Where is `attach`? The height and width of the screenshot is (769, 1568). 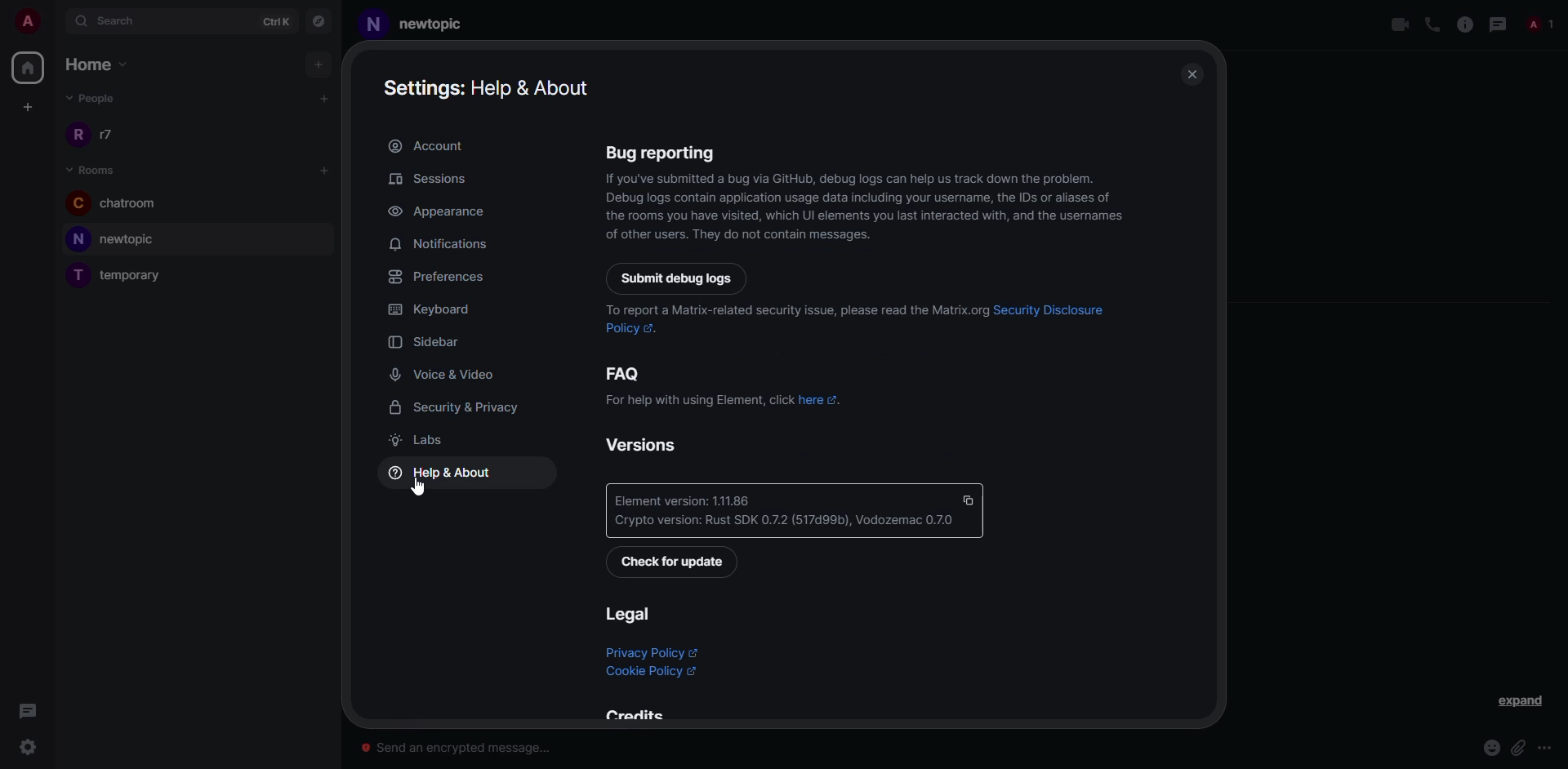 attach is located at coordinates (1517, 748).